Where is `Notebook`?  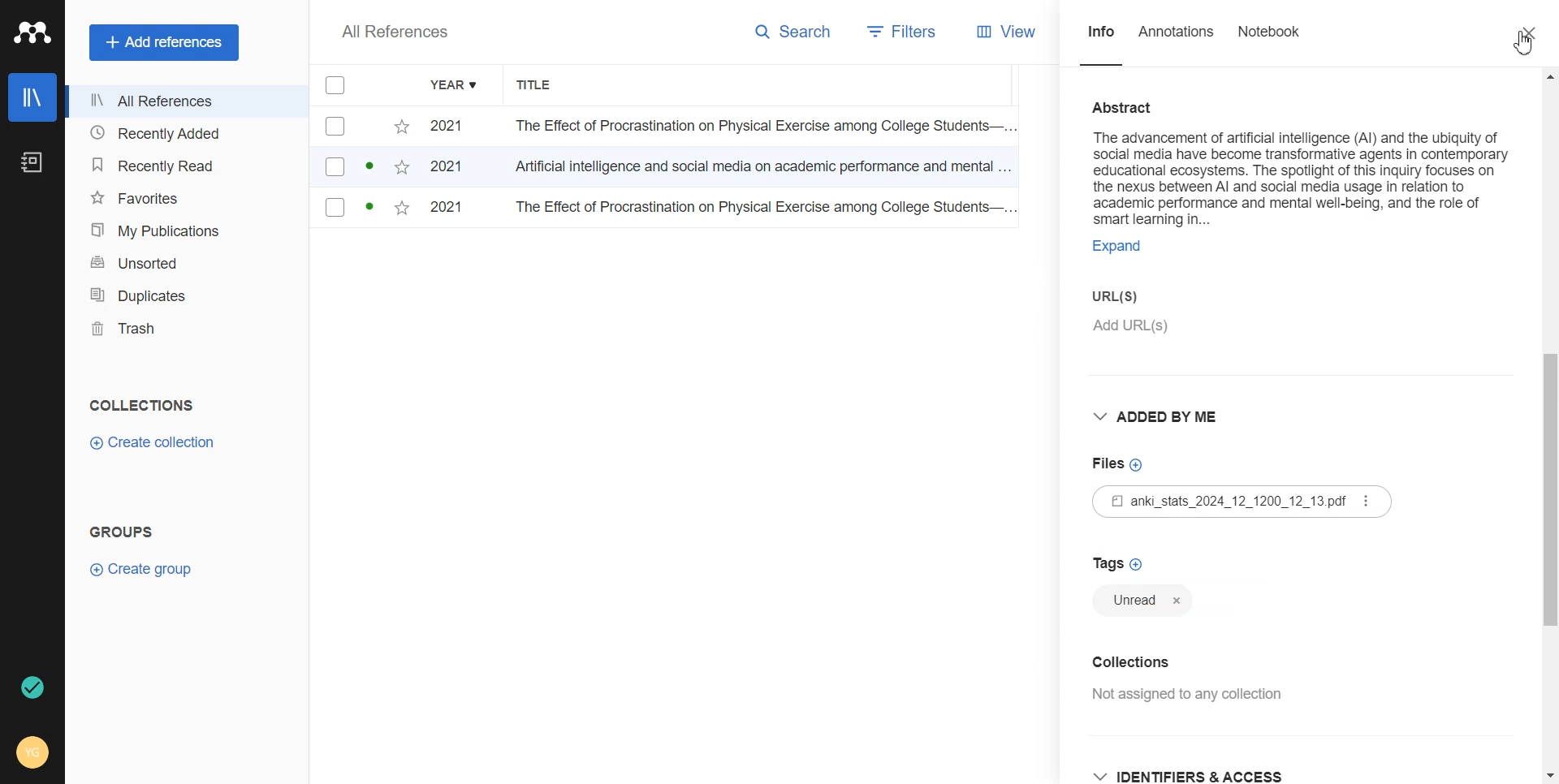 Notebook is located at coordinates (32, 163).